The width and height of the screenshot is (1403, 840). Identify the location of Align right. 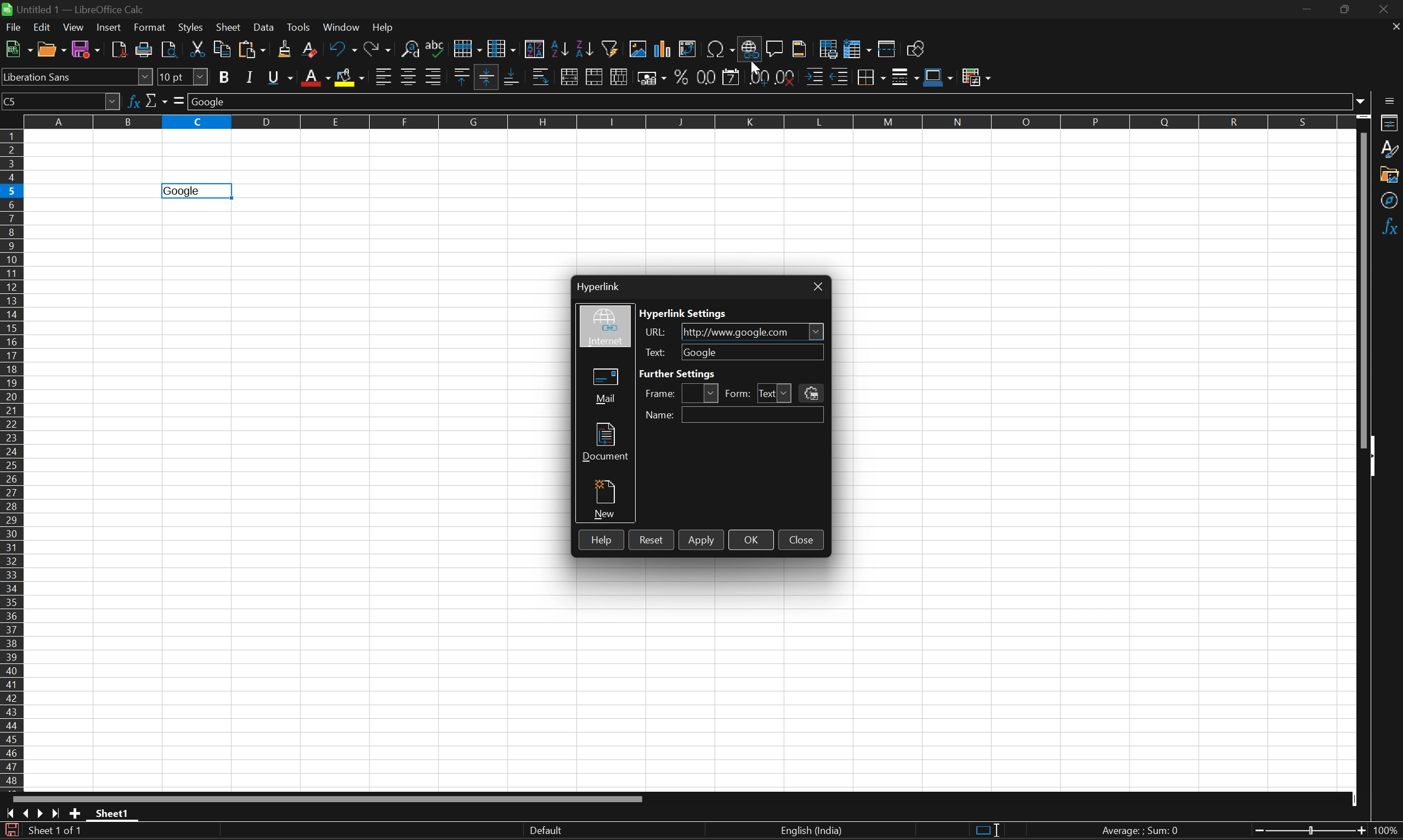
(434, 77).